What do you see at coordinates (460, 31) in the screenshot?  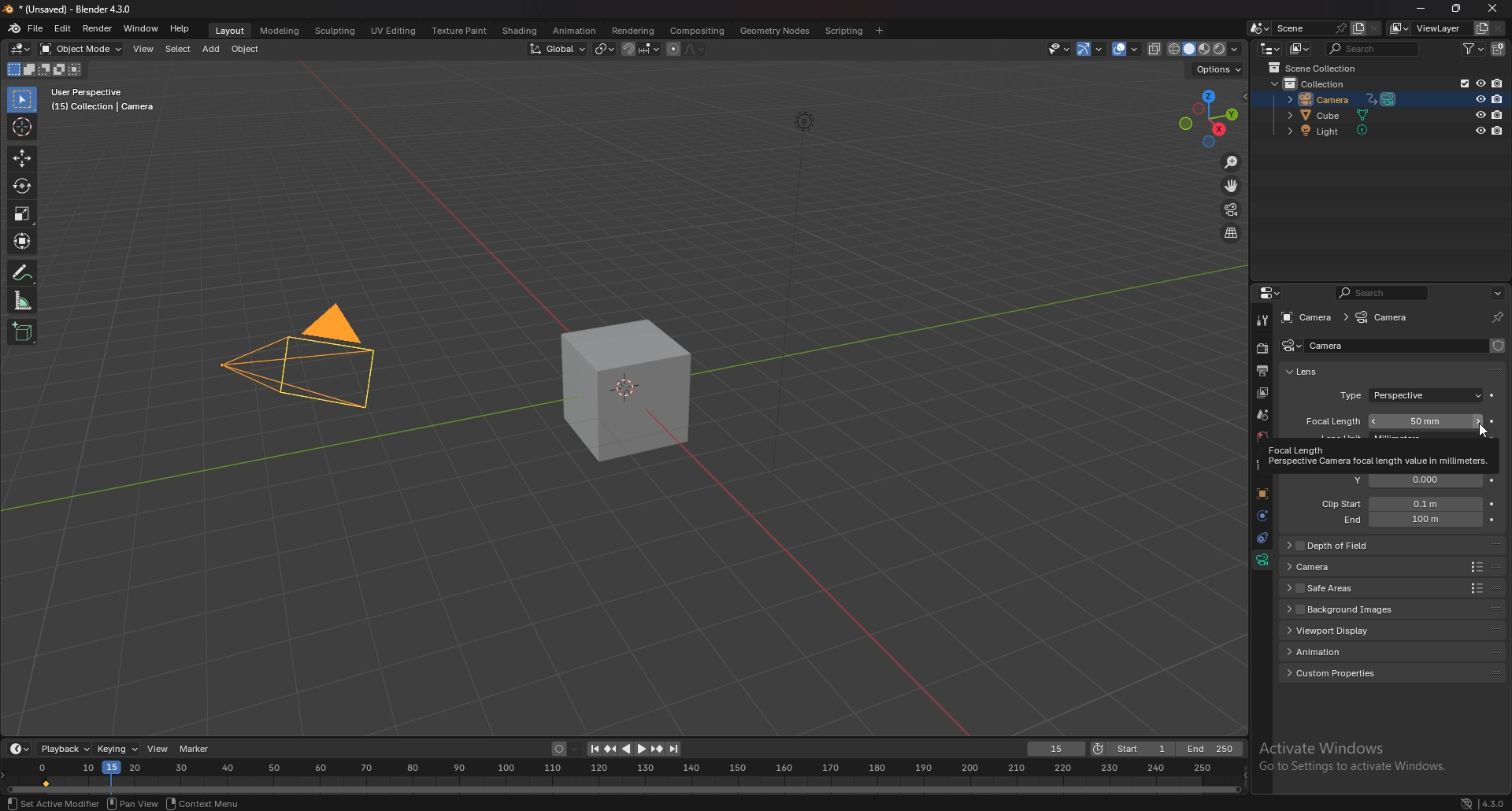 I see `texture paint` at bounding box center [460, 31].